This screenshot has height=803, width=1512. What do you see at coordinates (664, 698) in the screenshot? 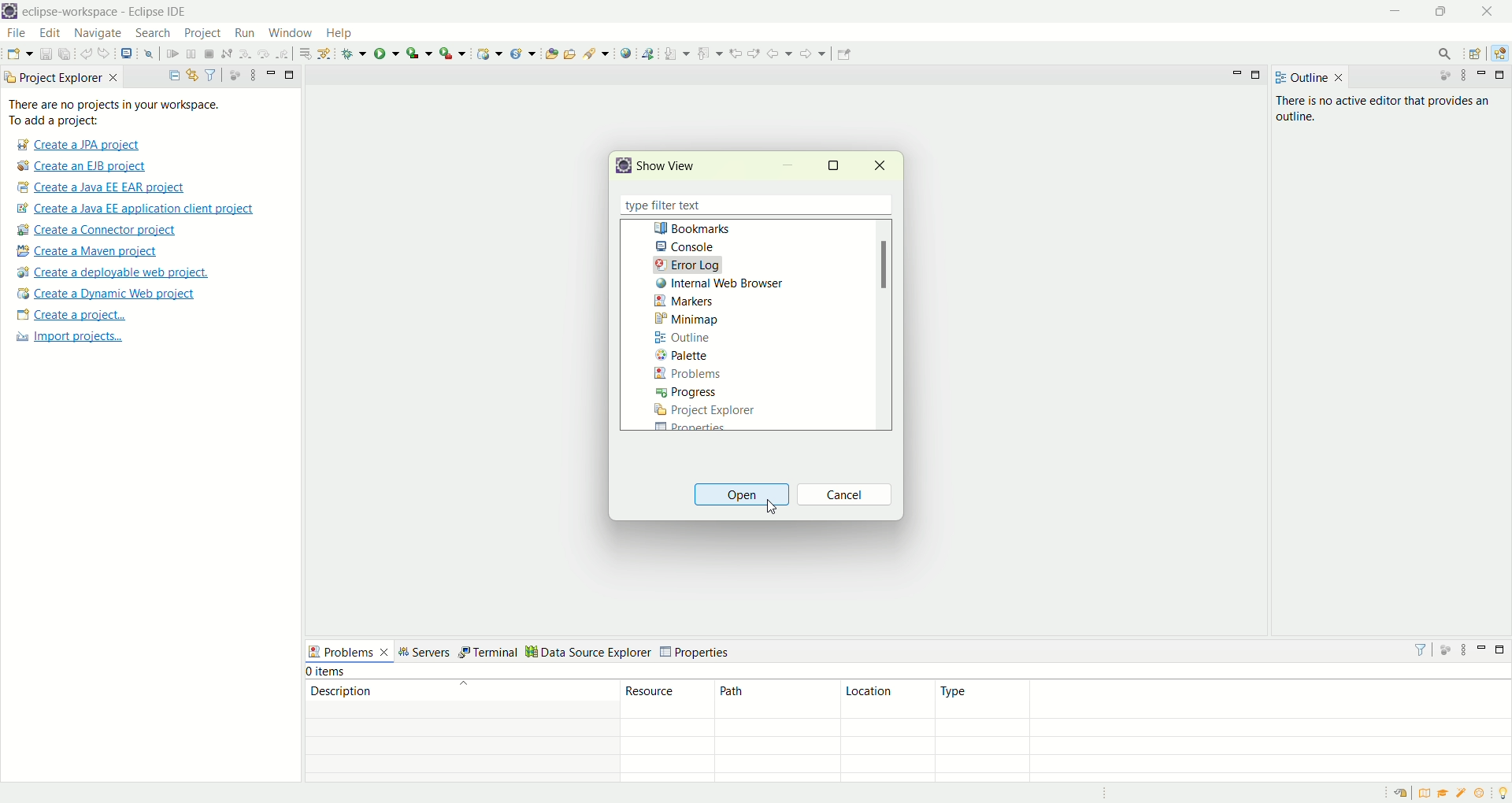
I see `resource` at bounding box center [664, 698].